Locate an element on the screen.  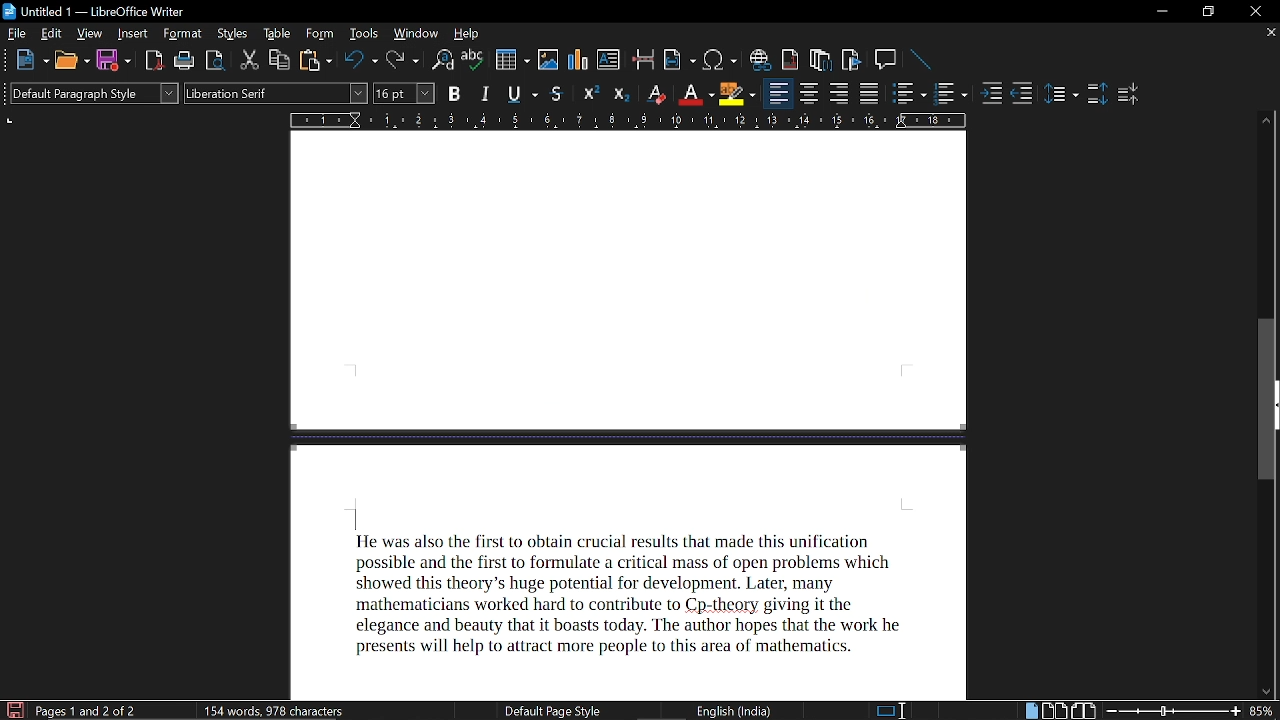
Decrease indent is located at coordinates (1022, 92).